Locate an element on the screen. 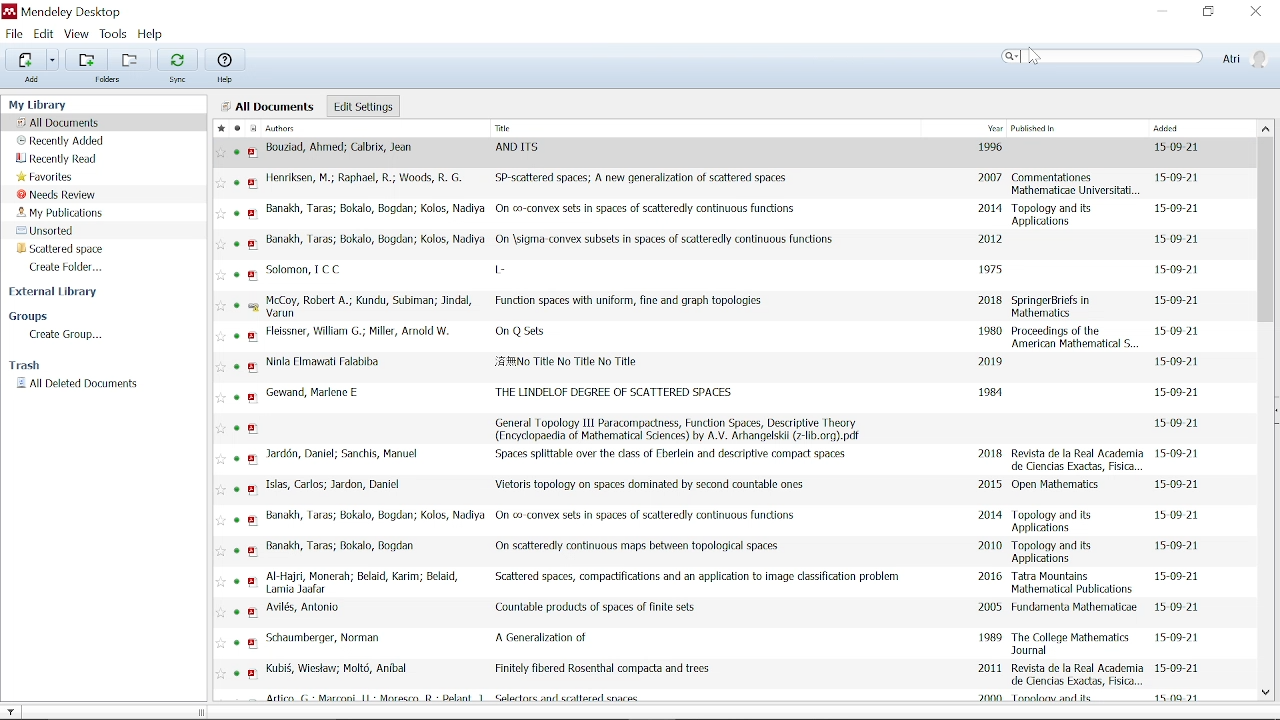  Add files options is located at coordinates (54, 60).